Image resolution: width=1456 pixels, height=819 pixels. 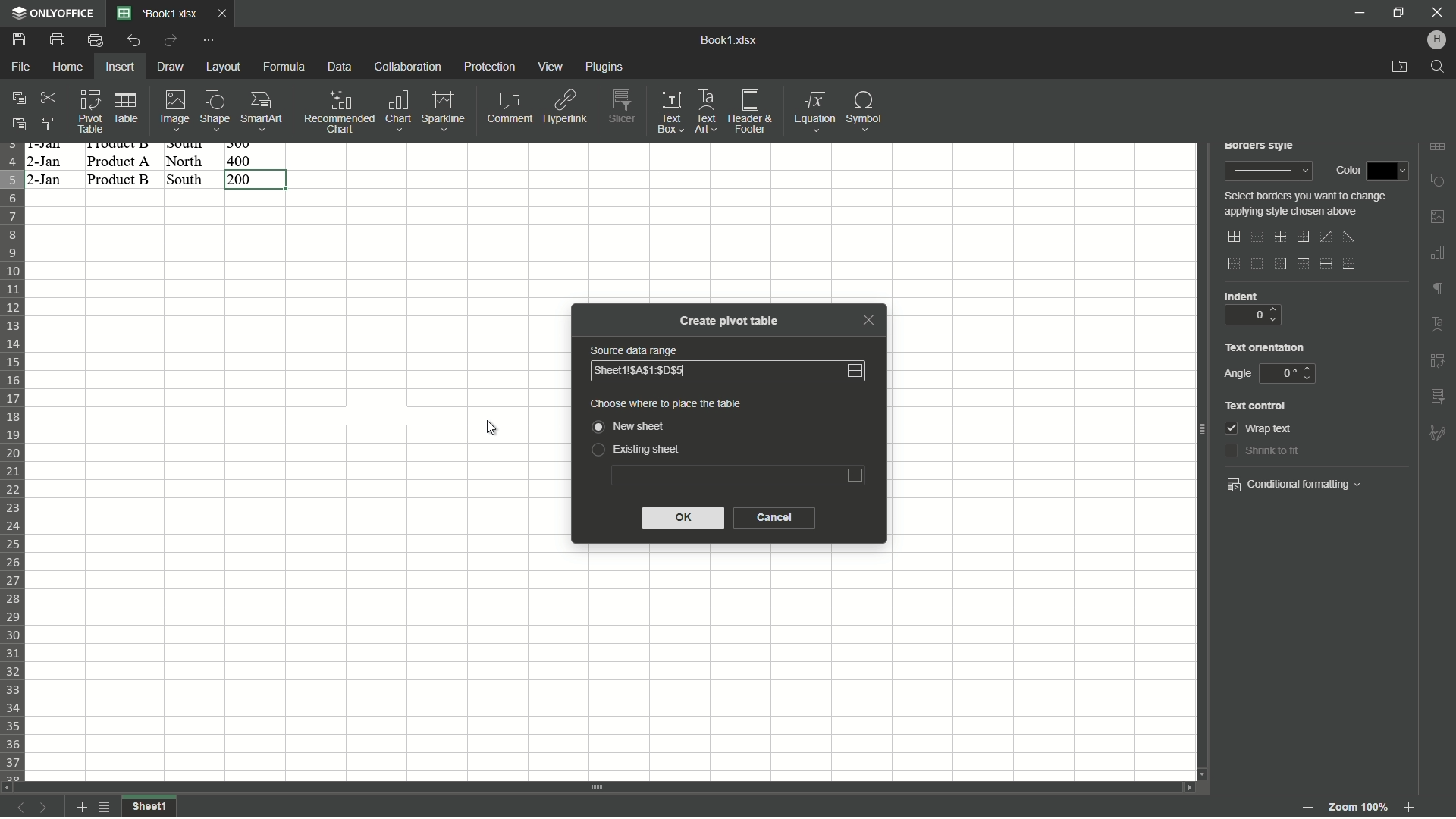 What do you see at coordinates (170, 65) in the screenshot?
I see `Draw` at bounding box center [170, 65].